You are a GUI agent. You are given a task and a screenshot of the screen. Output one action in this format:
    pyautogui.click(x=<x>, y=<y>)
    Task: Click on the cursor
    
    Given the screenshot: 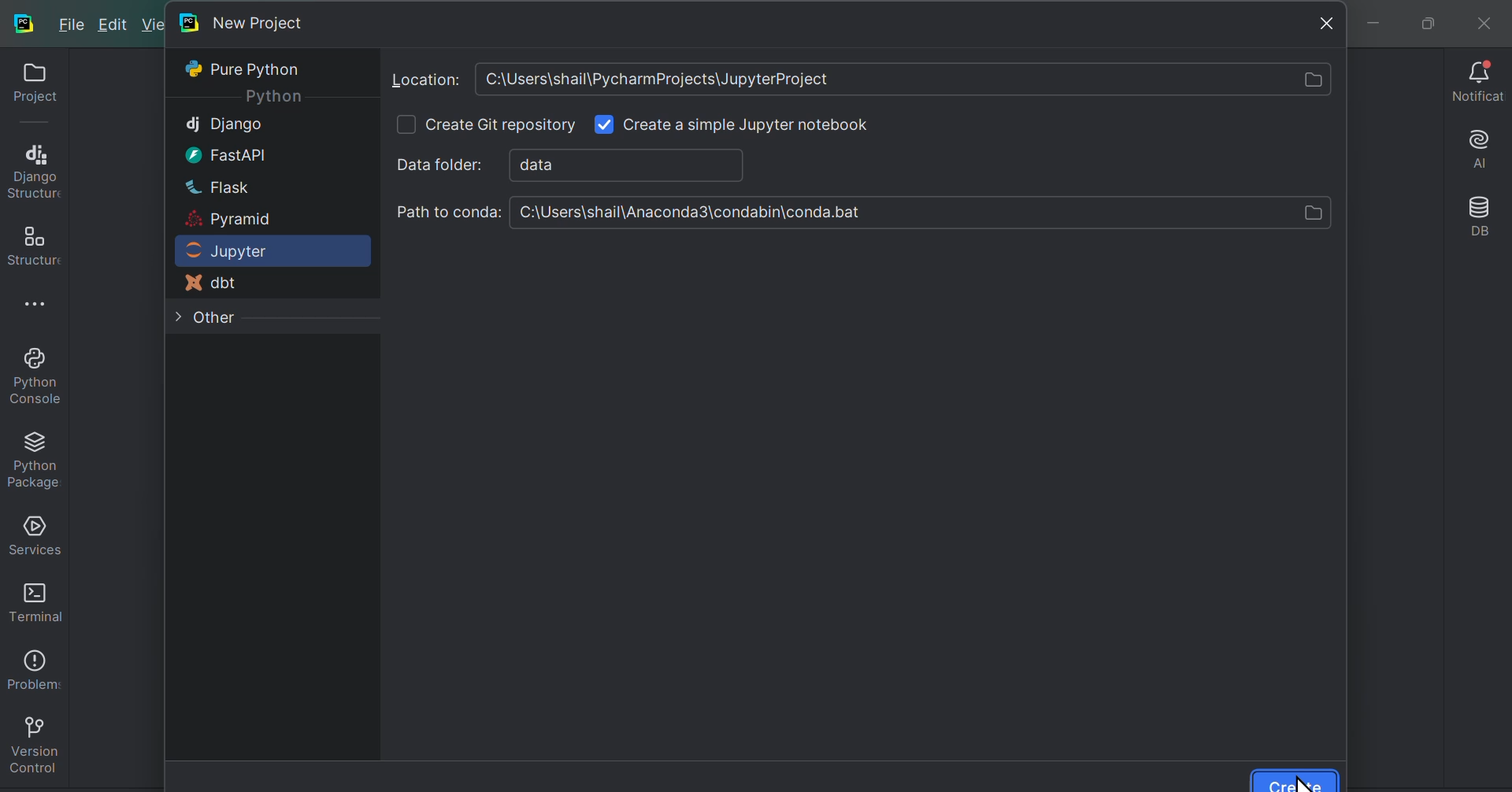 What is the action you would take?
    pyautogui.click(x=1302, y=781)
    